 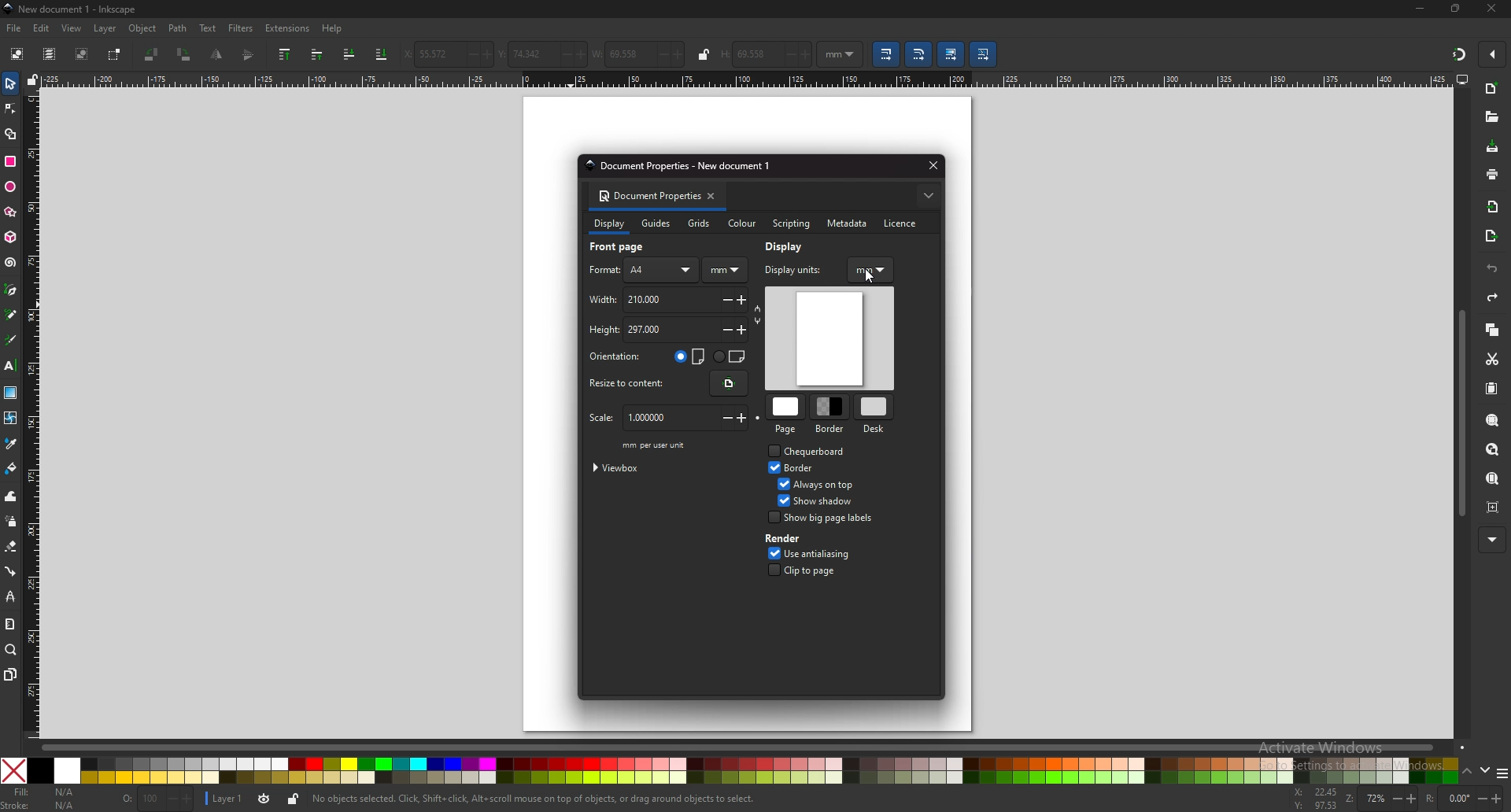 I want to click on +, so click(x=808, y=55).